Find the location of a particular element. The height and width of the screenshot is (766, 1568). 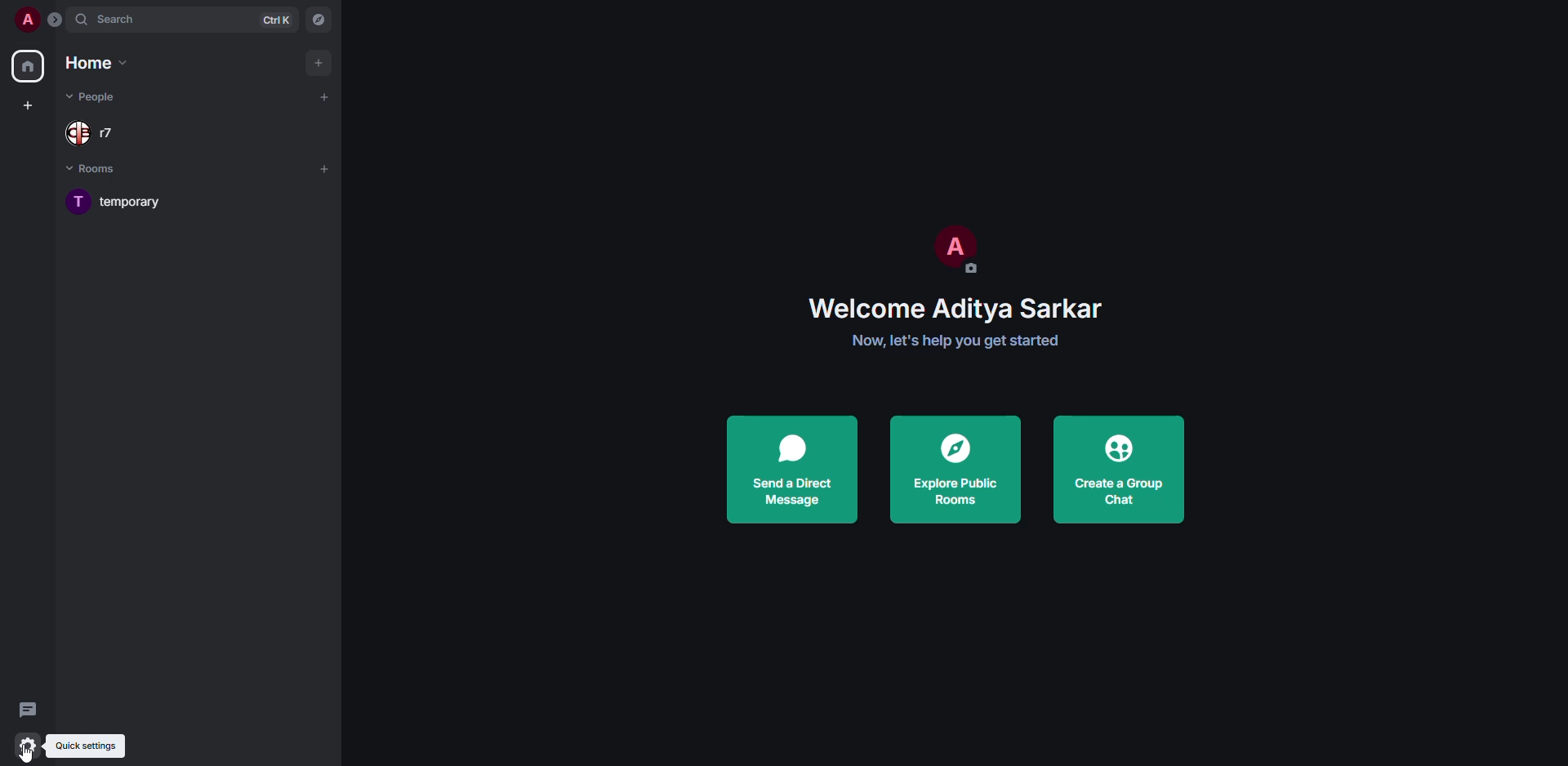

threads is located at coordinates (26, 710).